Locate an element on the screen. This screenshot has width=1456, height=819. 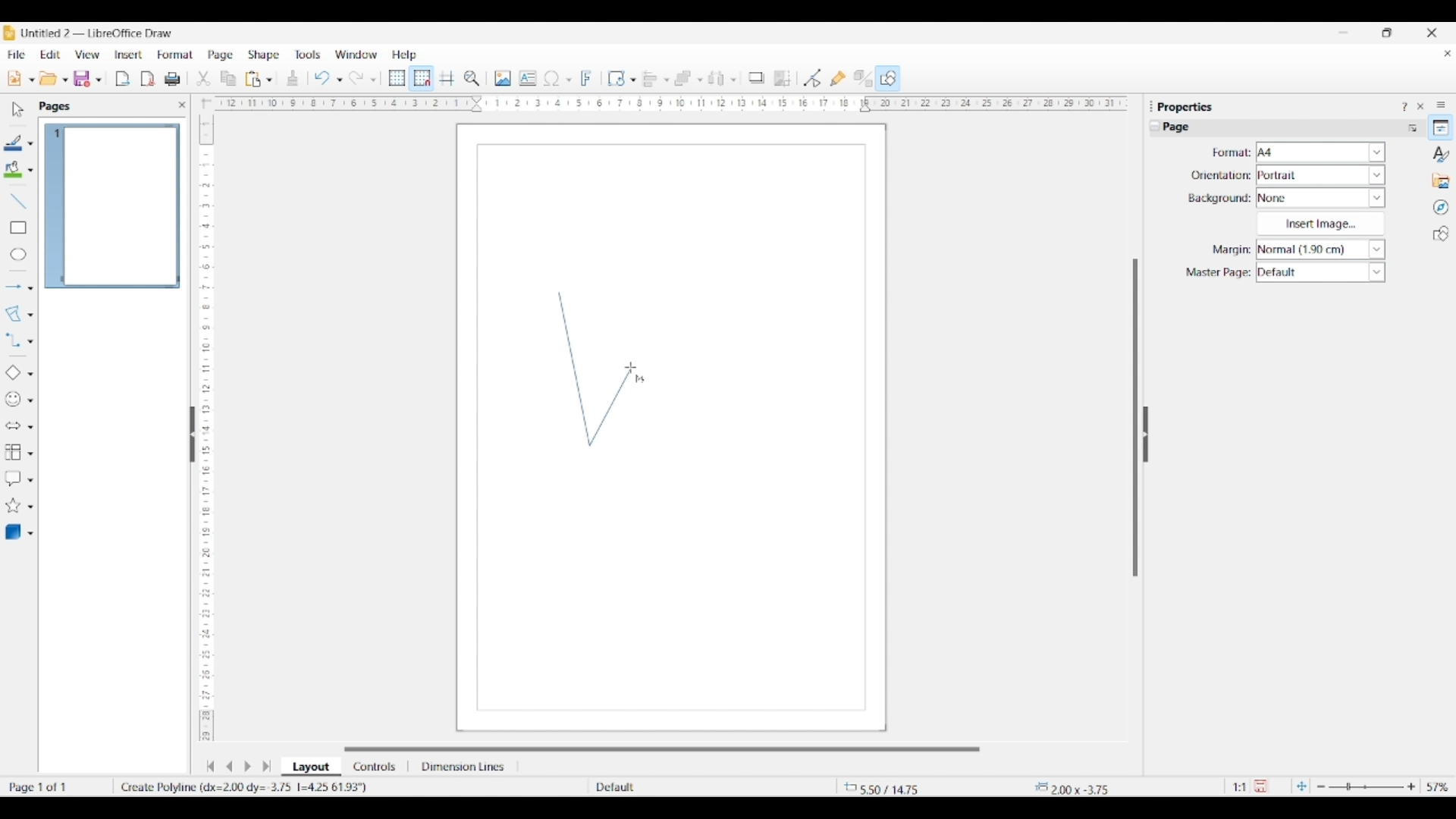
Selected block arrow is located at coordinates (12, 426).